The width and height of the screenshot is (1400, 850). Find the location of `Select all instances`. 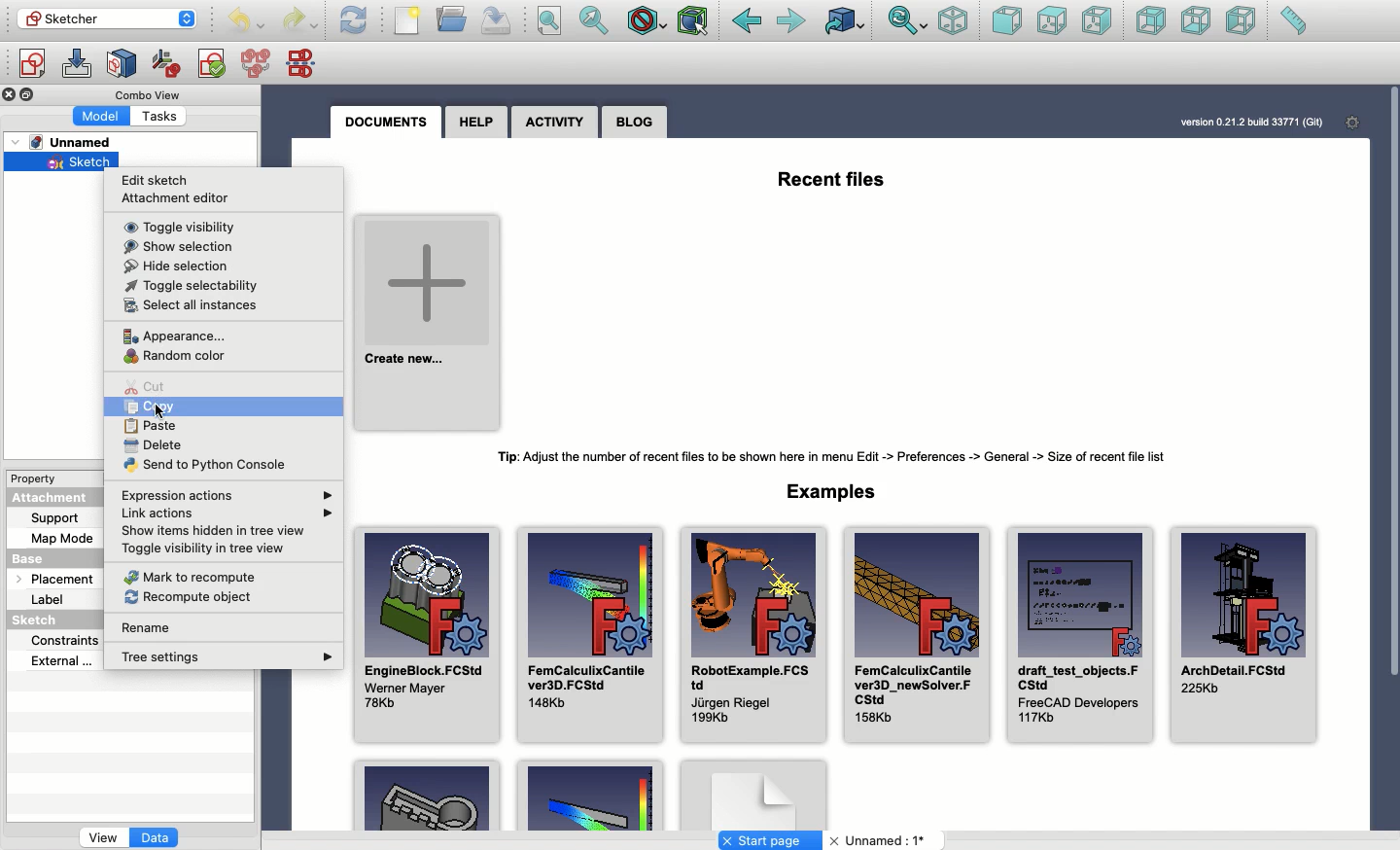

Select all instances is located at coordinates (195, 306).